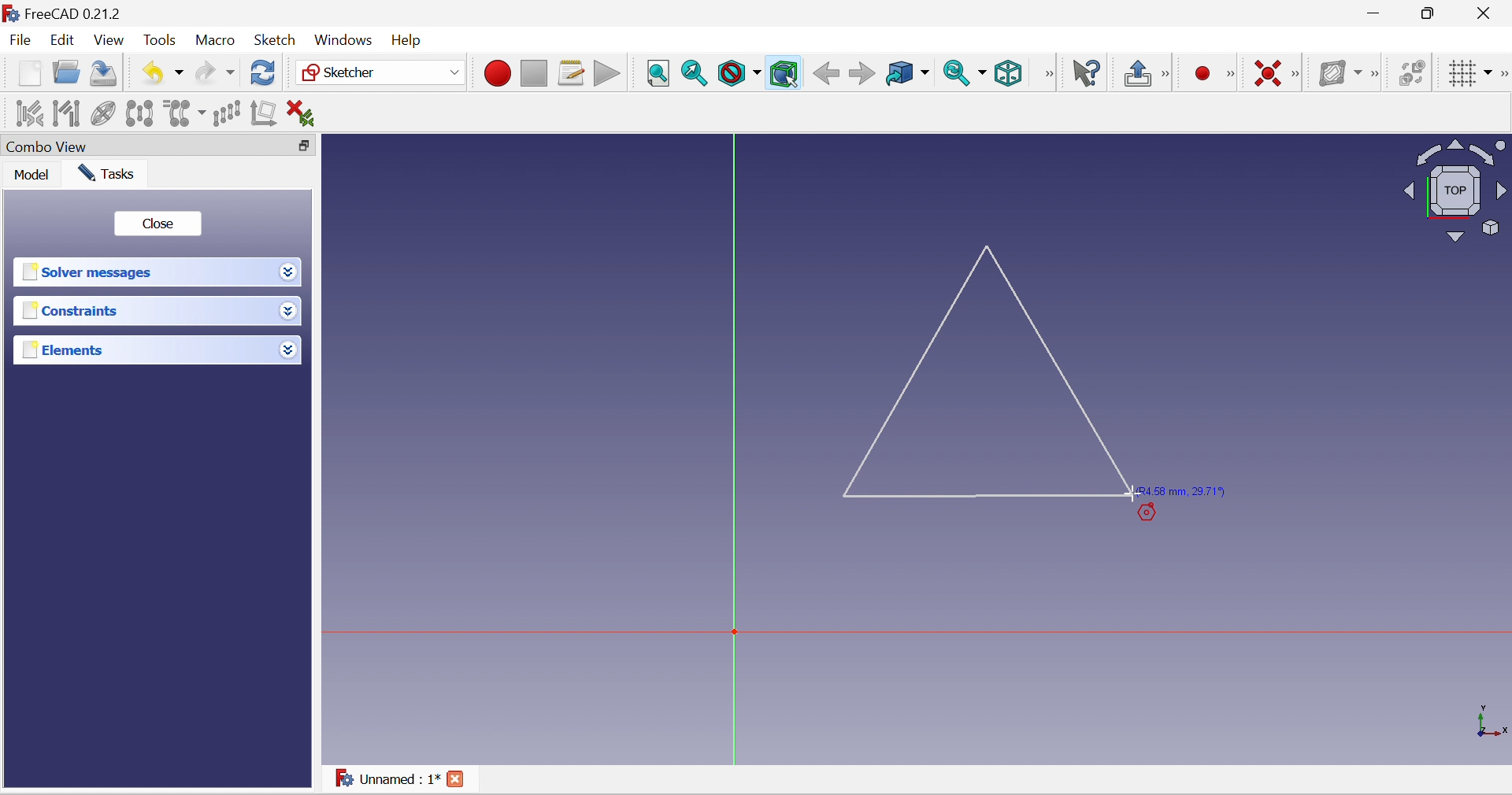 This screenshot has width=1512, height=795. Describe the element at coordinates (160, 224) in the screenshot. I see `Close` at that location.